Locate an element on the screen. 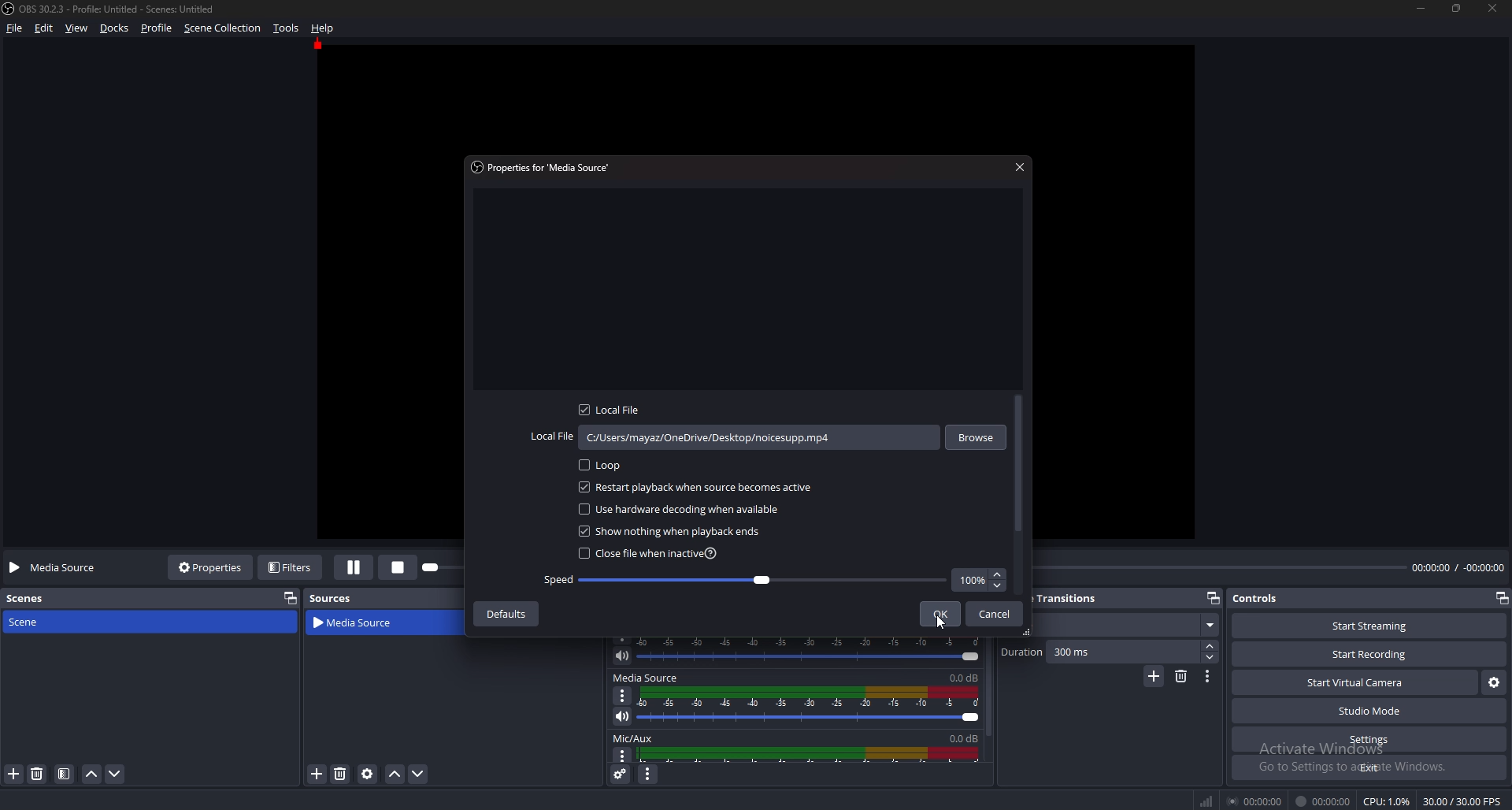  Move sources up is located at coordinates (395, 775).